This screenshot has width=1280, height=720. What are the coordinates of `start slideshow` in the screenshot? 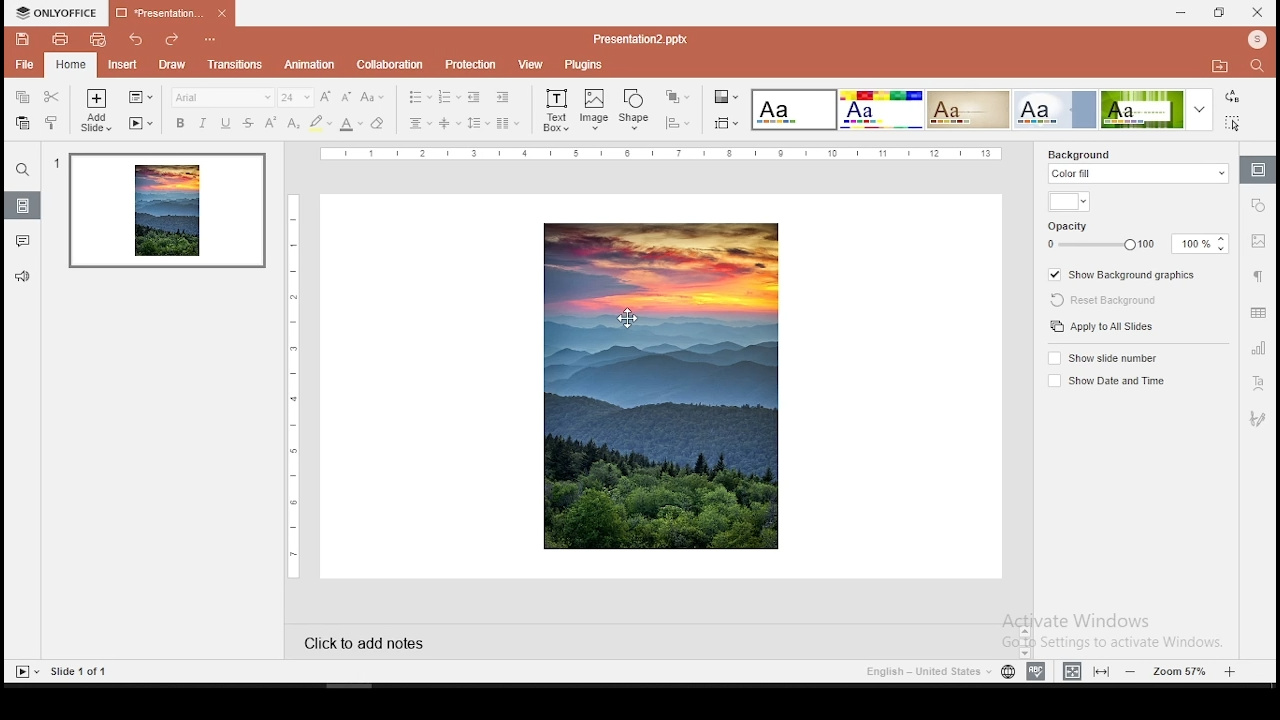 It's located at (139, 125).